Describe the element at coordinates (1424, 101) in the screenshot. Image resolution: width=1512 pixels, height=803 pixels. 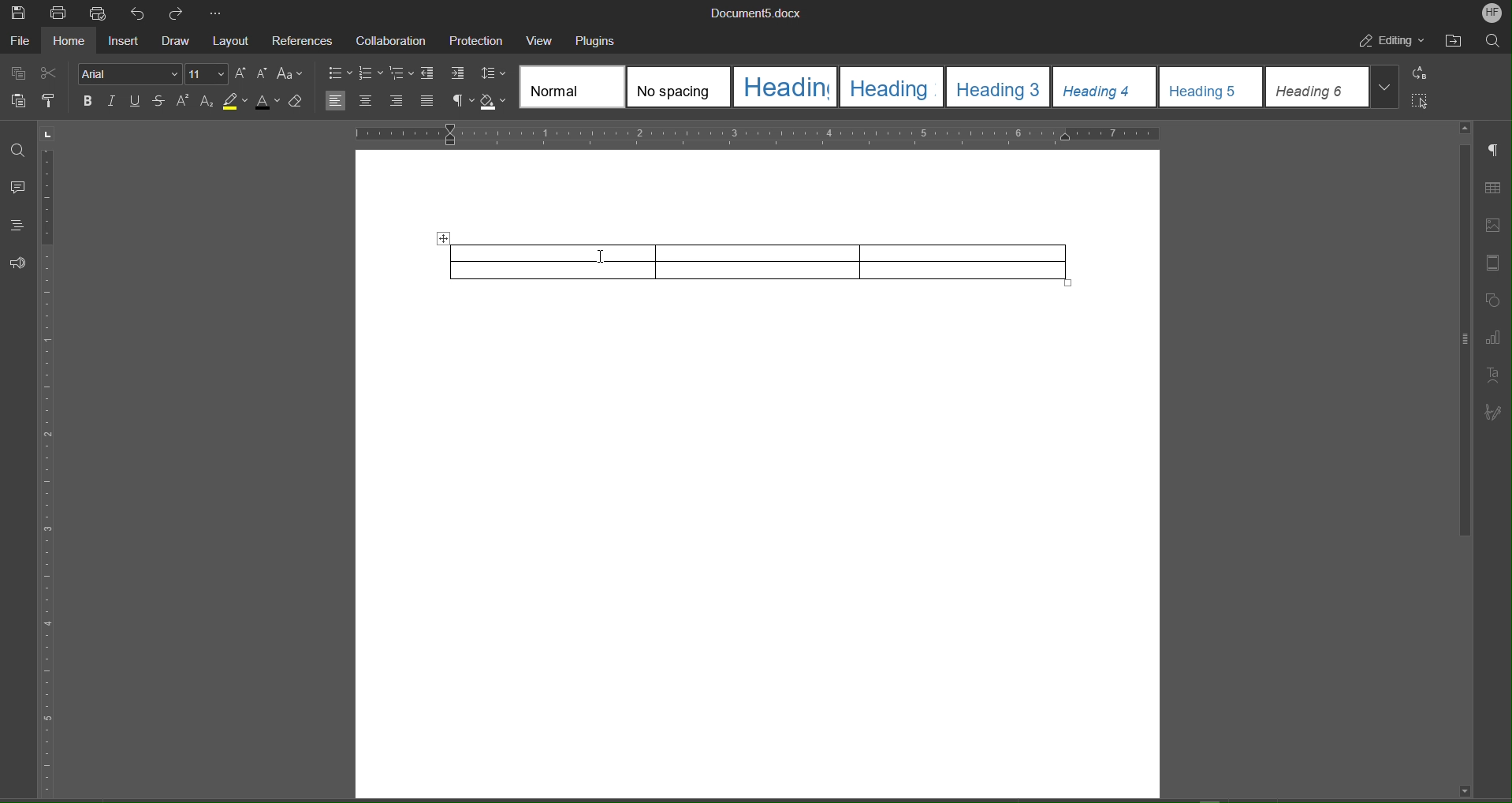
I see `Select All` at that location.